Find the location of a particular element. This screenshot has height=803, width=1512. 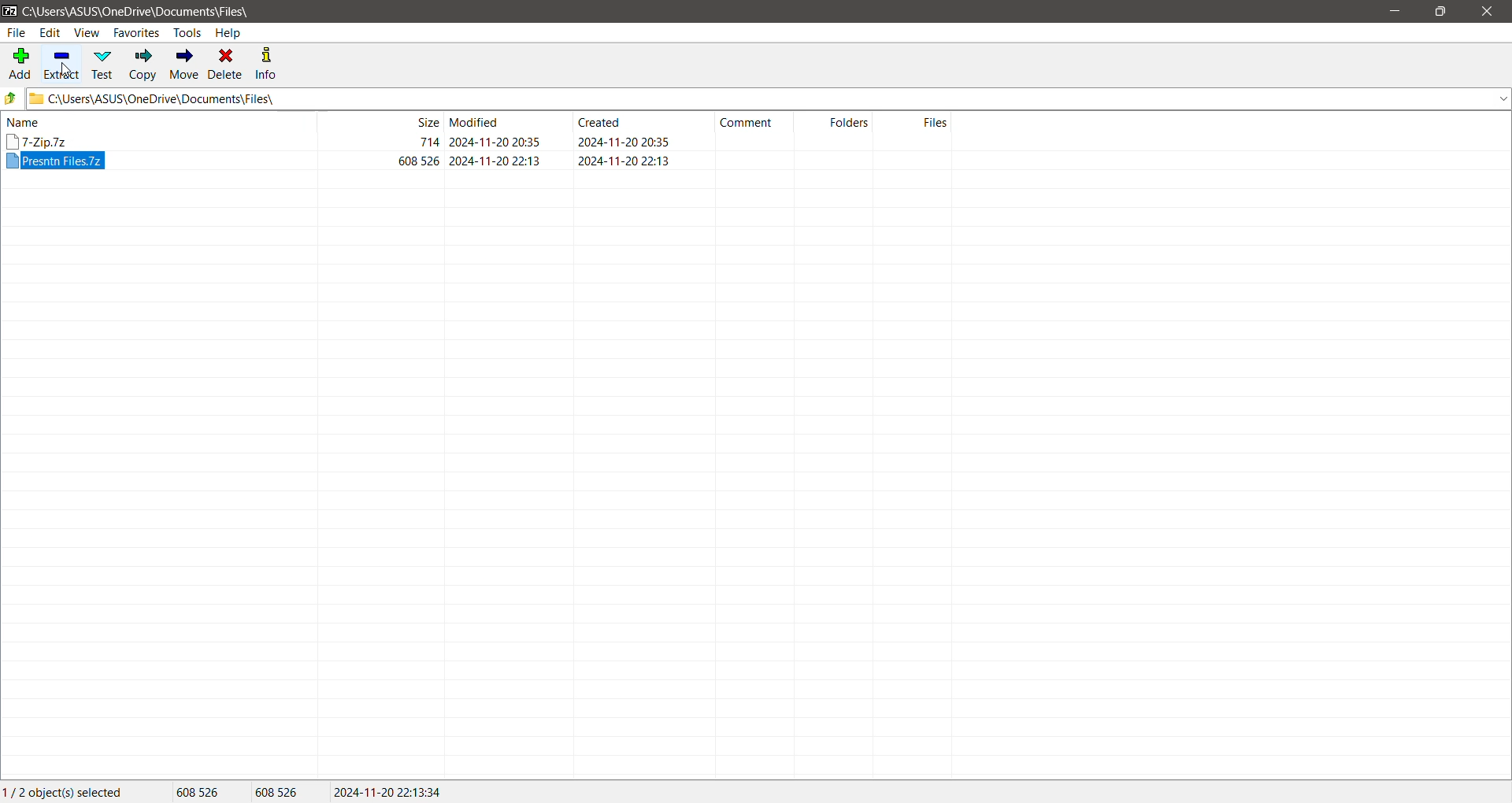

Add is located at coordinates (19, 62).